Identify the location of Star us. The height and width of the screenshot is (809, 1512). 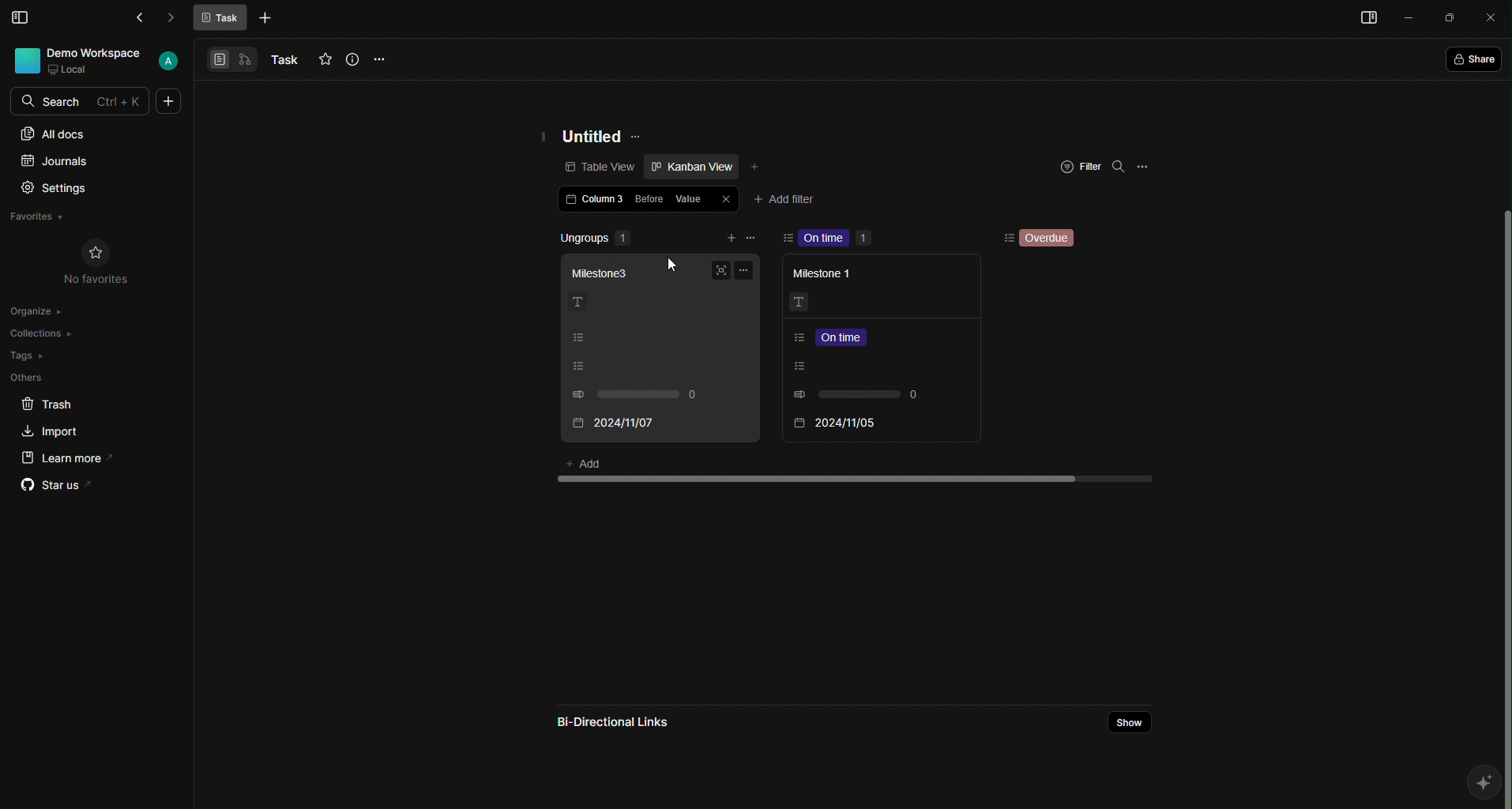
(51, 487).